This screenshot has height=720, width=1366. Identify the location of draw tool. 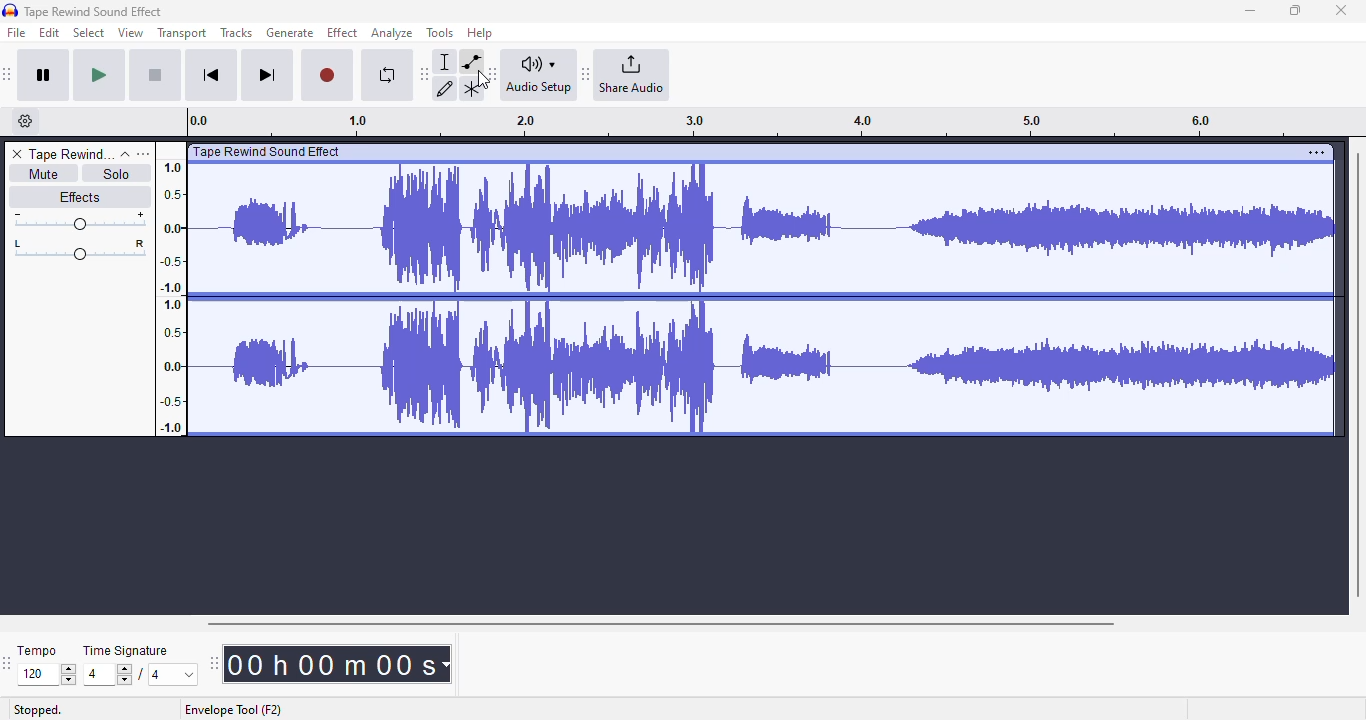
(446, 88).